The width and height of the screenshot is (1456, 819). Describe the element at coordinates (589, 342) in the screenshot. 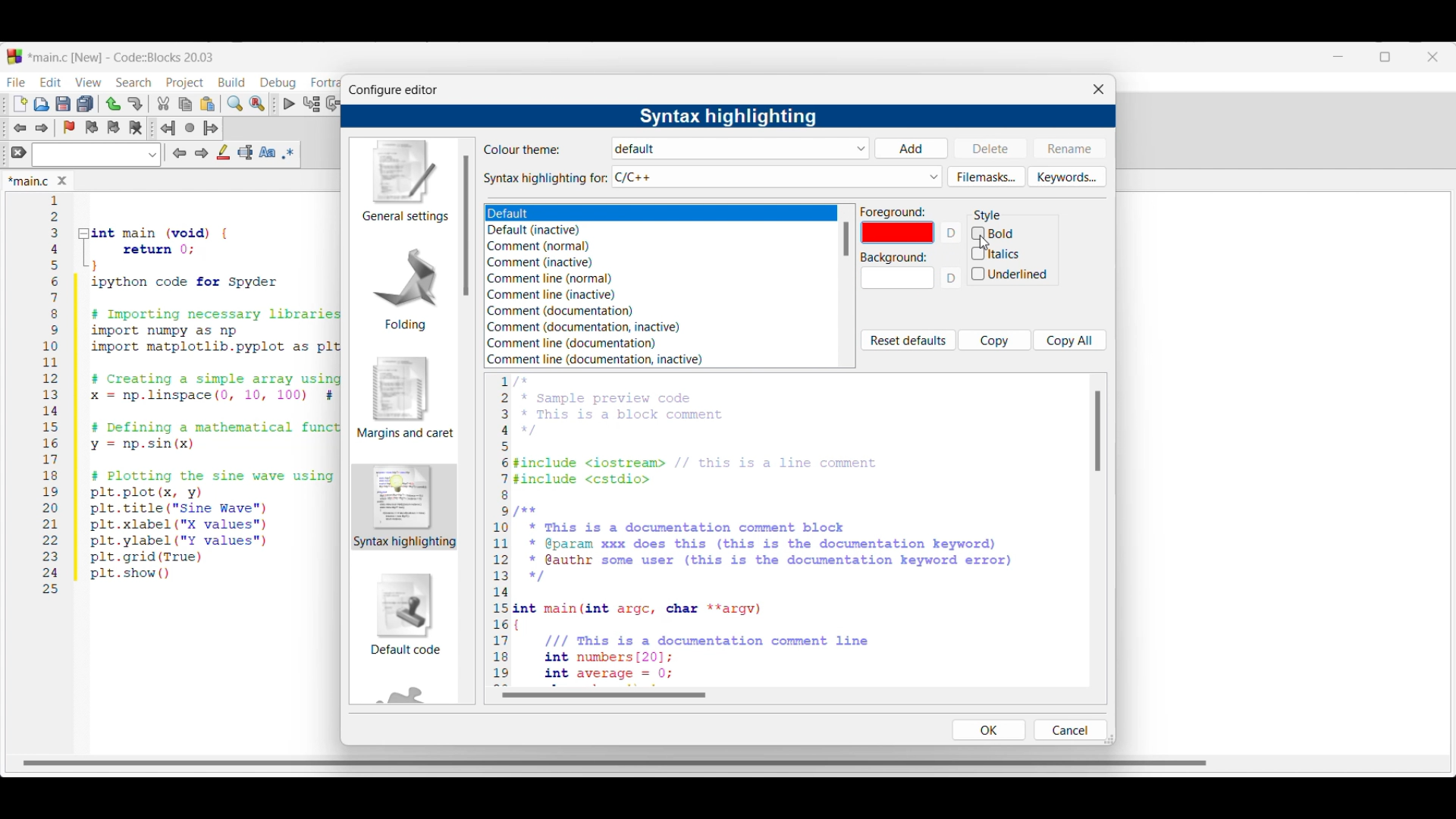

I see `Comment line (documentation)` at that location.